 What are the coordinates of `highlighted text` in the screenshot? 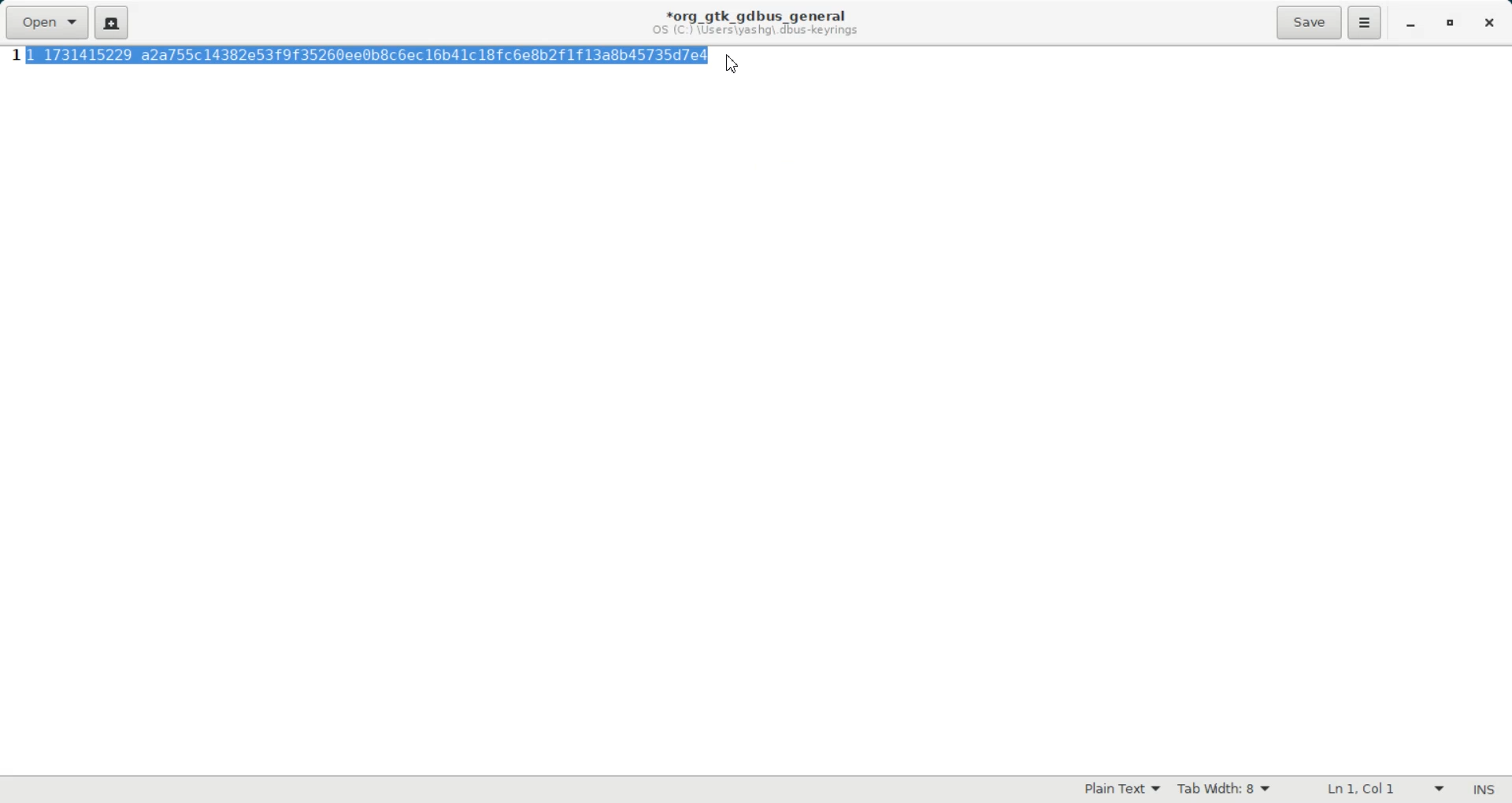 It's located at (368, 54).